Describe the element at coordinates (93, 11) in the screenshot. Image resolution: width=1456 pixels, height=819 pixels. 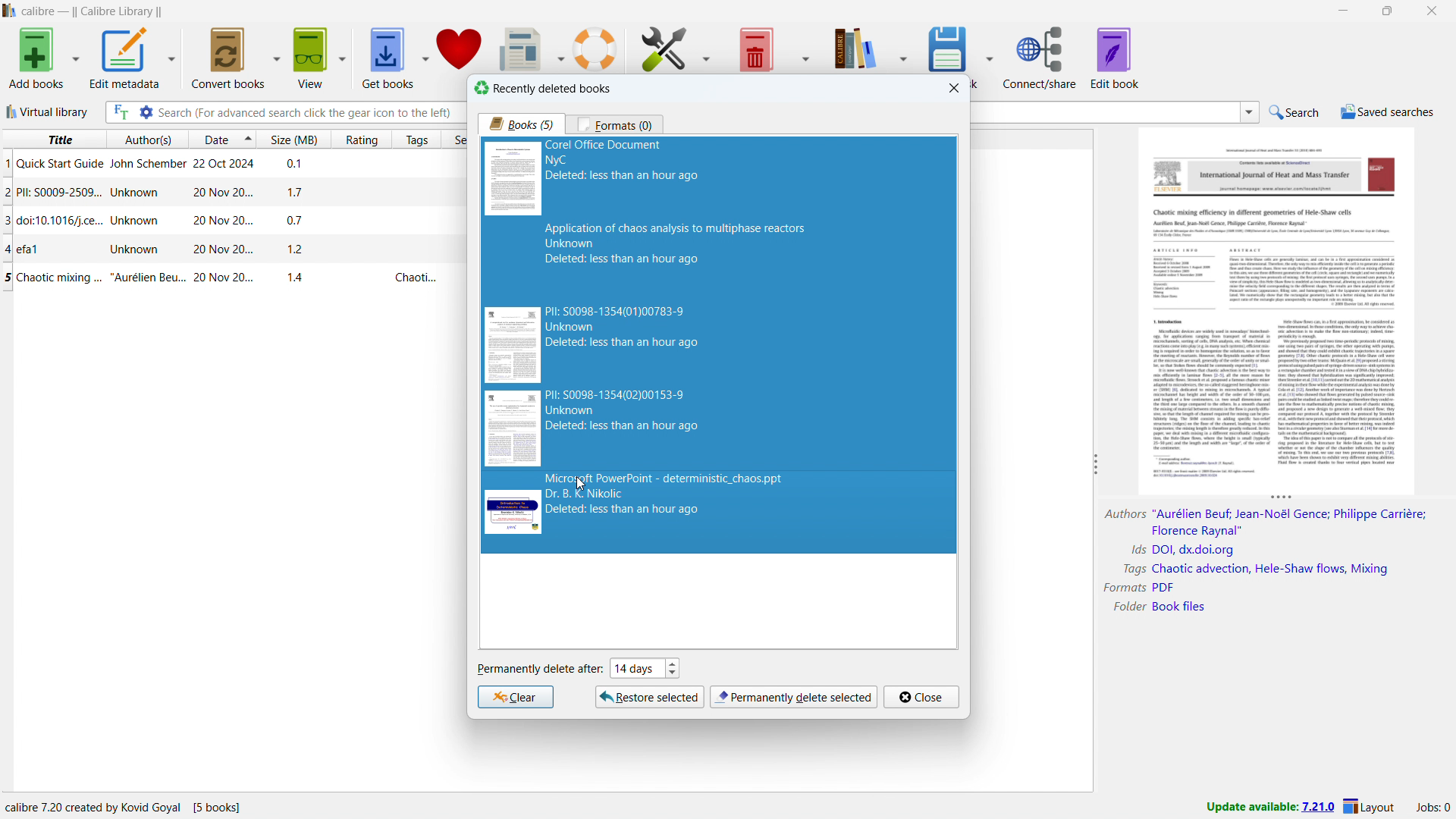
I see `title` at that location.